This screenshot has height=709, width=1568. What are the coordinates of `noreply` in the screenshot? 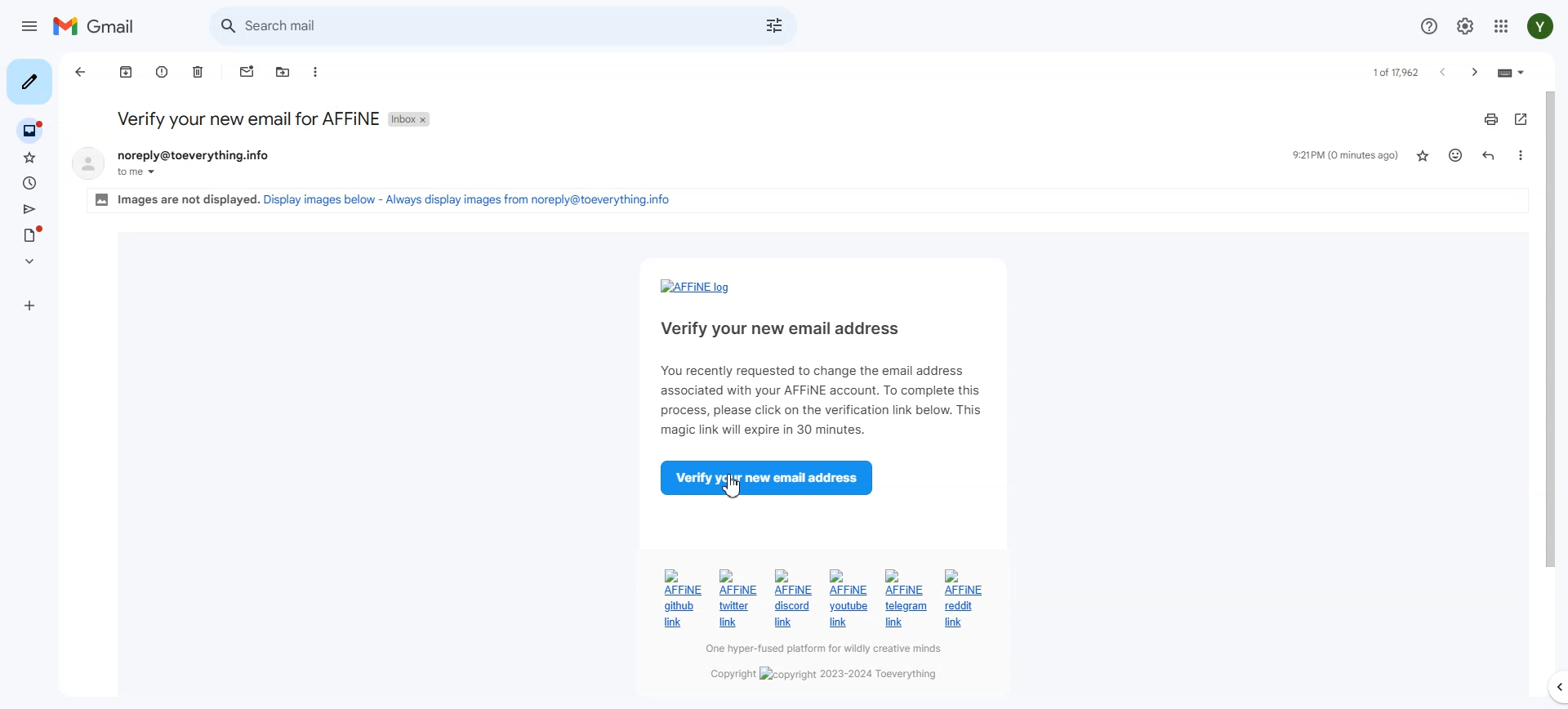 It's located at (196, 156).